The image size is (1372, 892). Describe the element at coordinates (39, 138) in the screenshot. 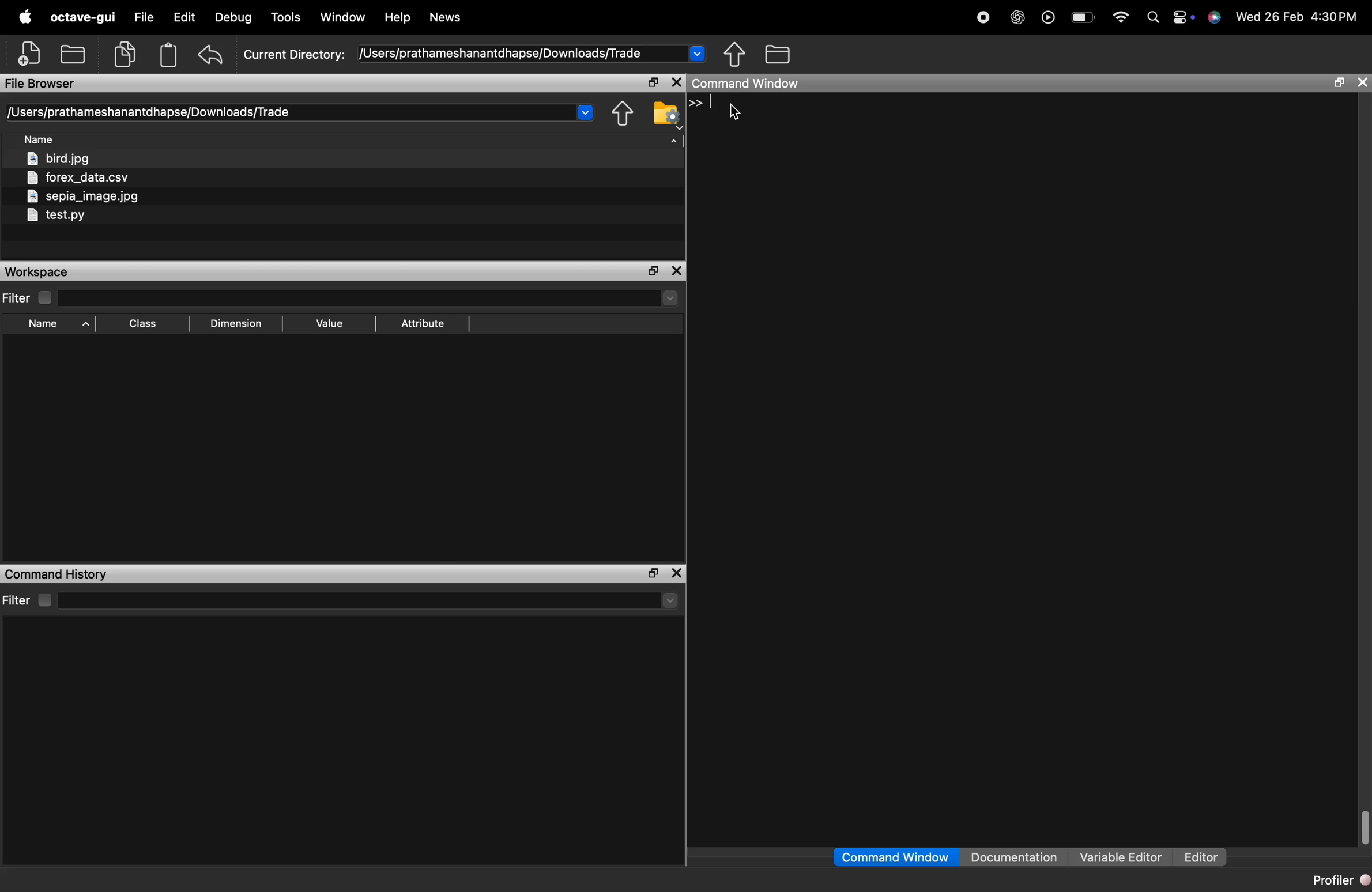

I see `Name` at that location.